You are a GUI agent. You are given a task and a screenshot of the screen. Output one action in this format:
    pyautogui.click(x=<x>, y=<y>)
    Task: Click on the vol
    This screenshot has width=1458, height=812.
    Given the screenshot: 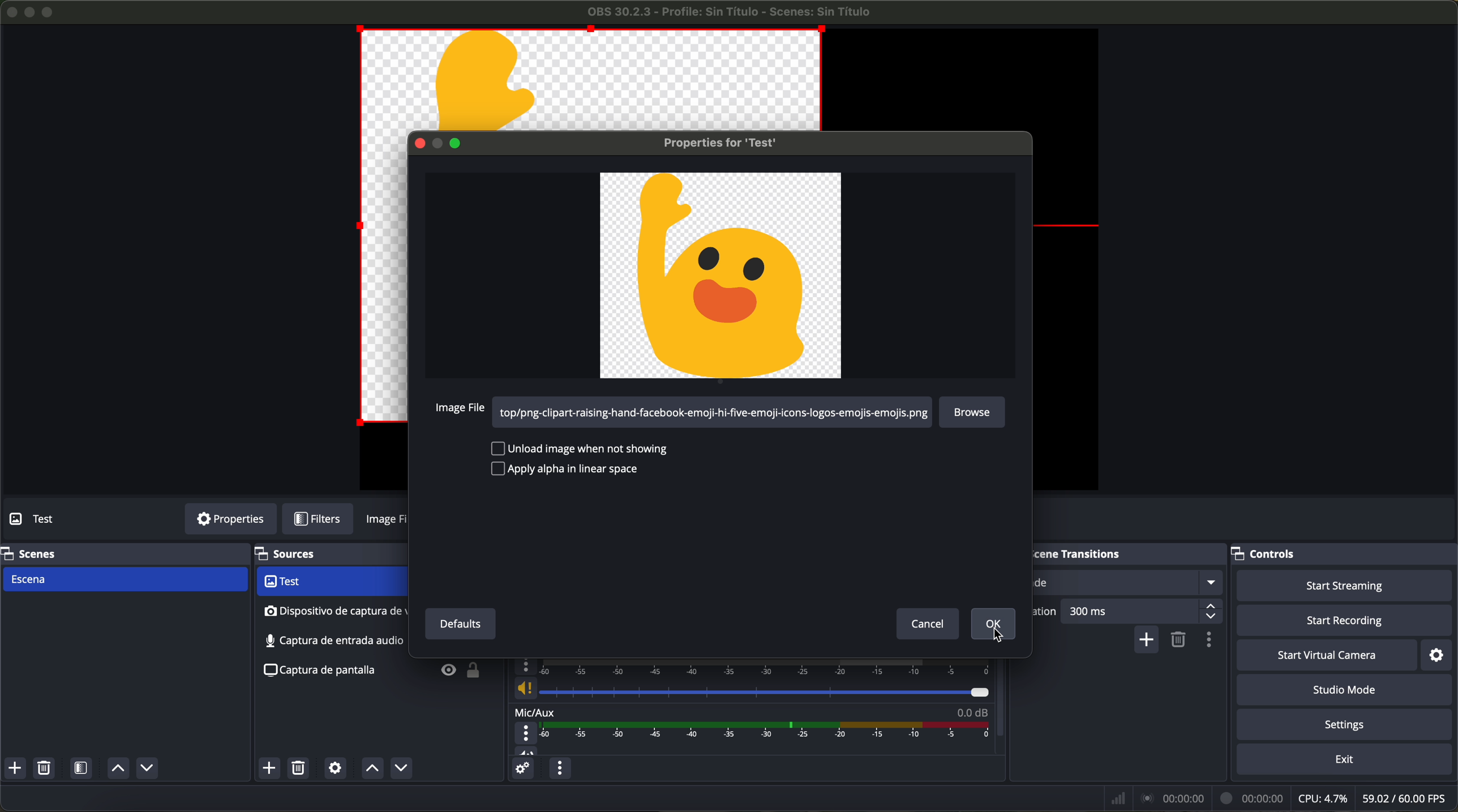 What is the action you would take?
    pyautogui.click(x=526, y=750)
    